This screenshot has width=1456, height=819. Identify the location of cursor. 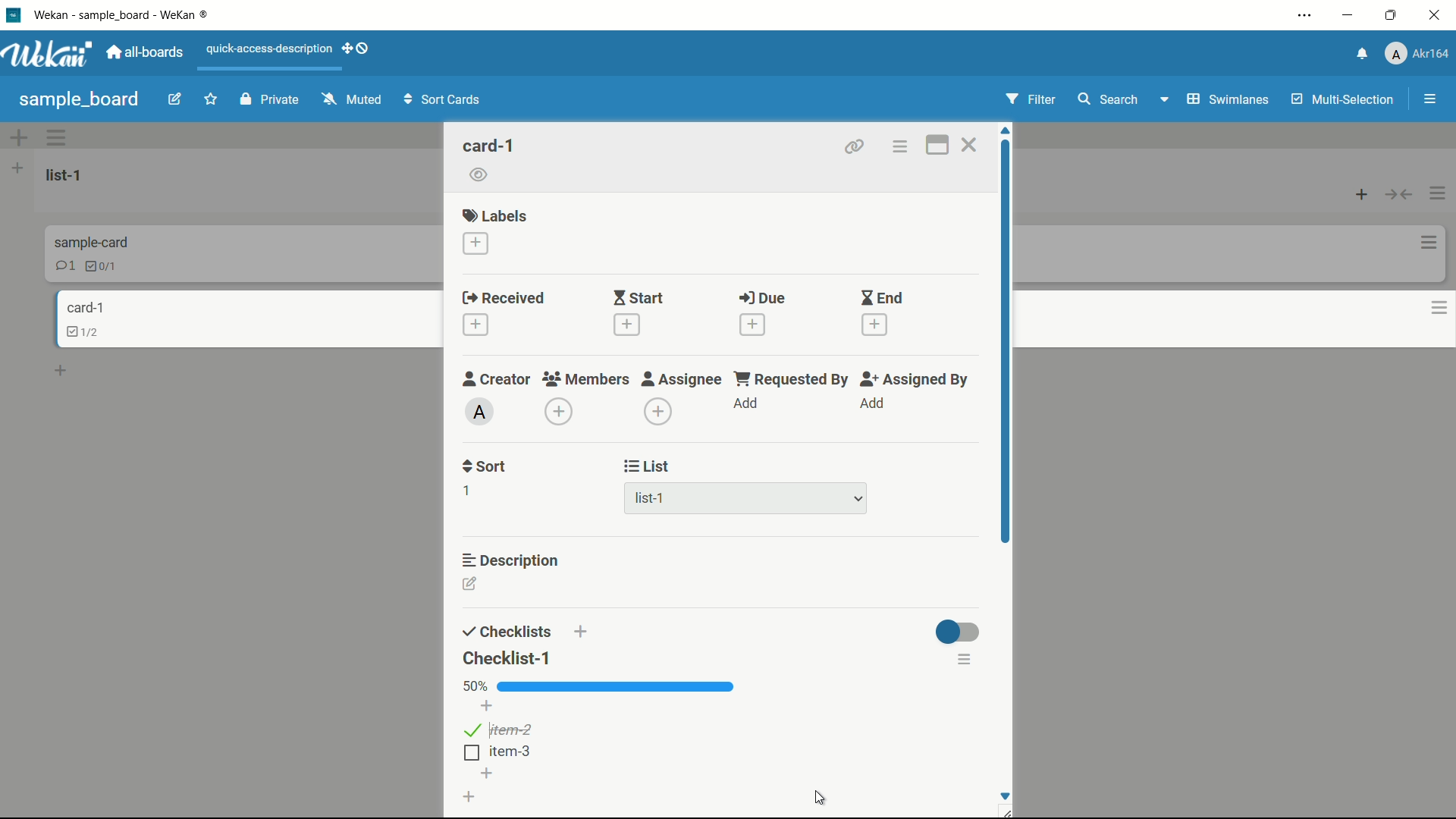
(818, 799).